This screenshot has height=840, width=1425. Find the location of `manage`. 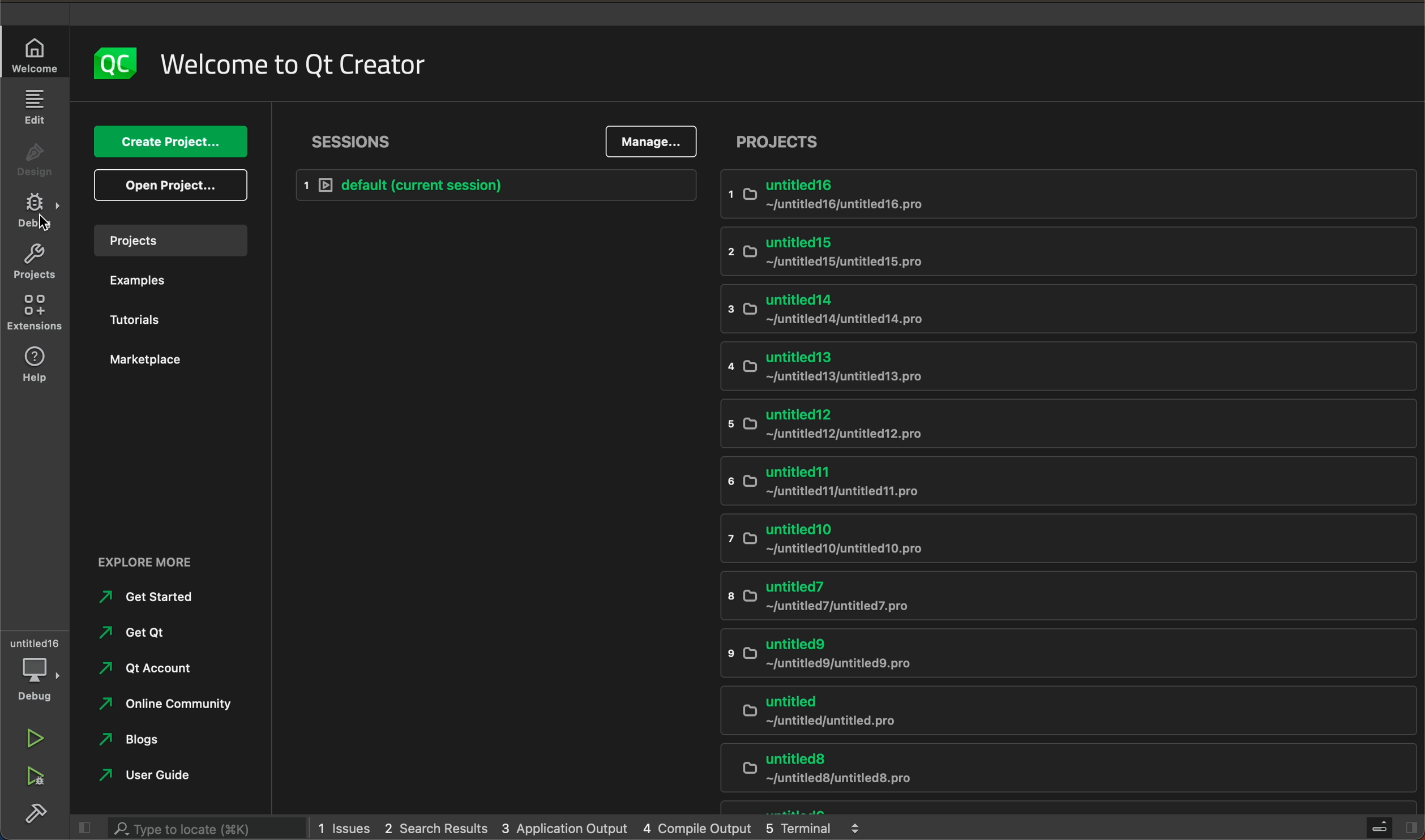

manage is located at coordinates (652, 142).